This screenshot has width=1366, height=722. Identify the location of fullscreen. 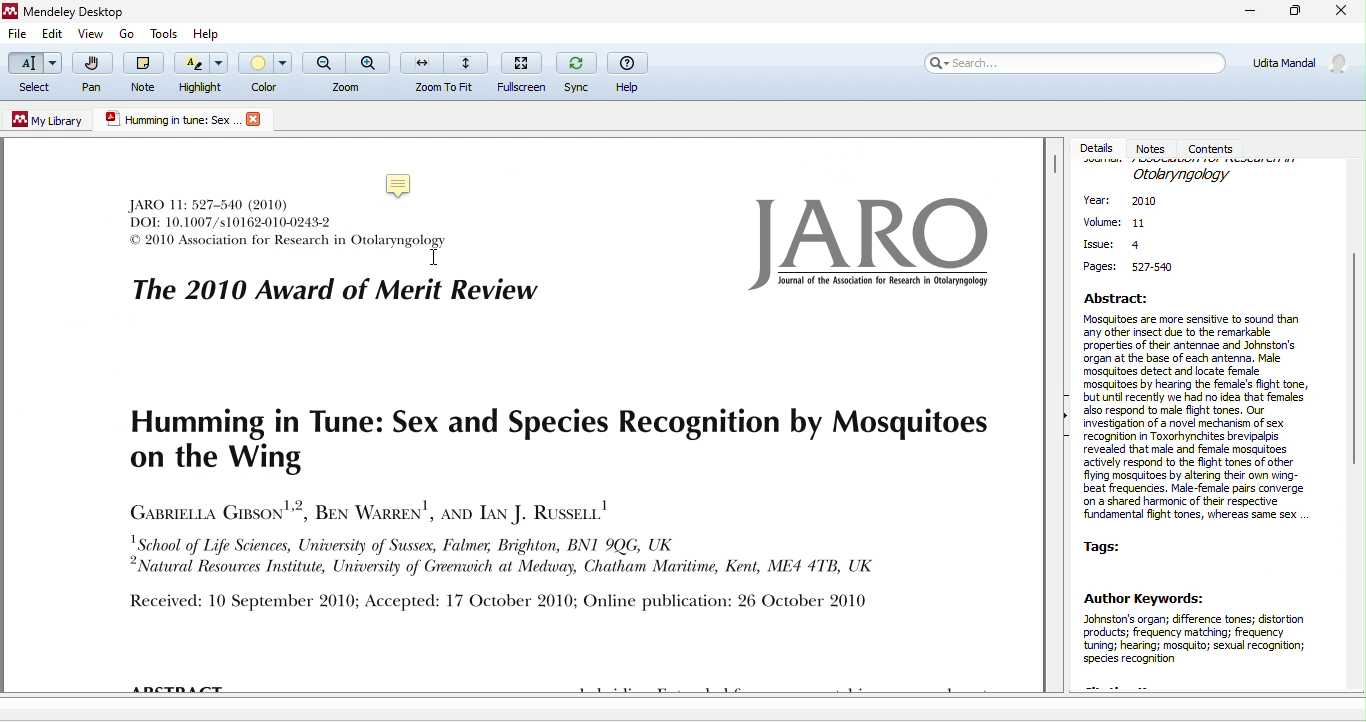
(520, 72).